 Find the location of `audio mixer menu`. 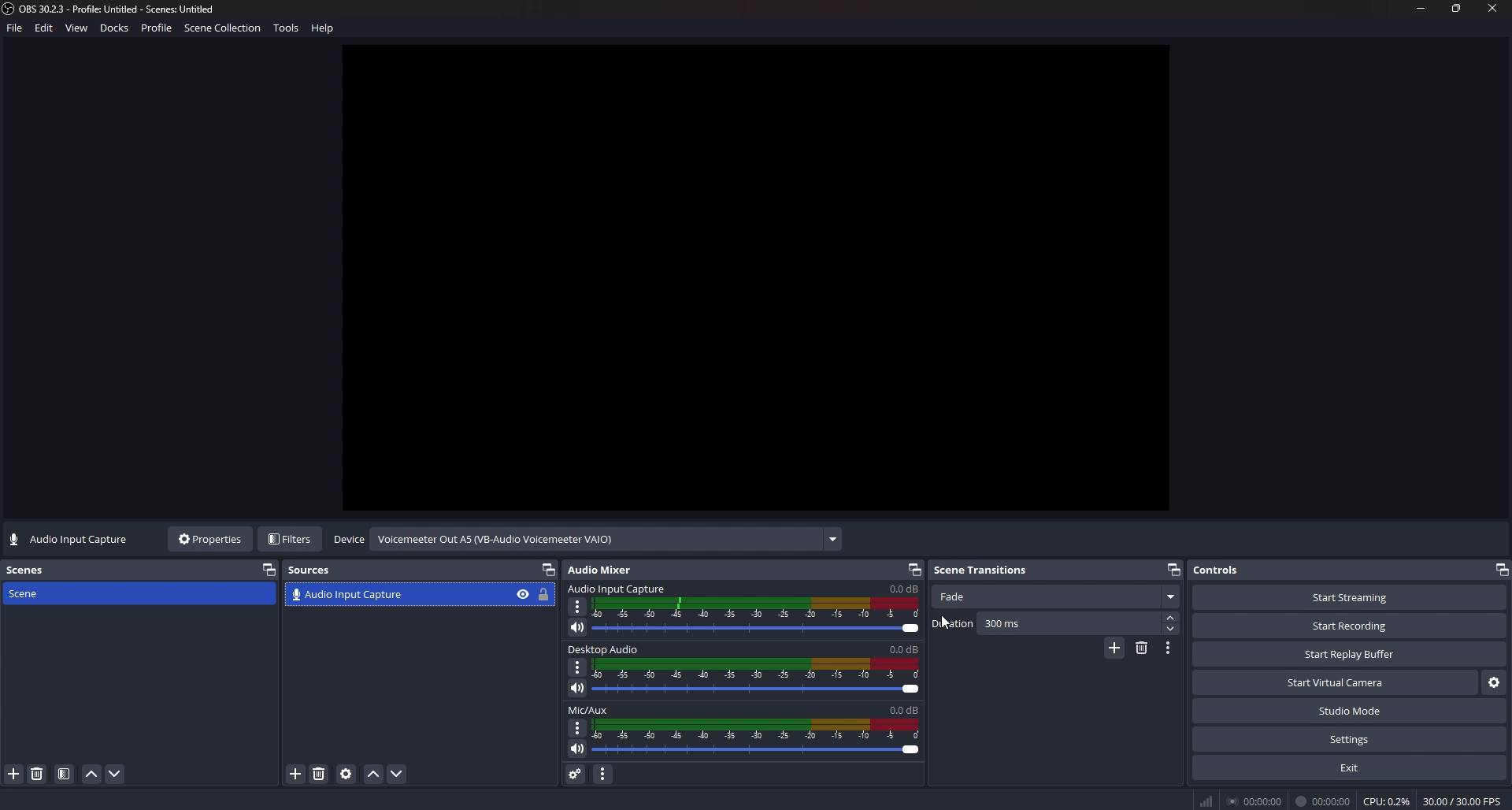

audio mixer menu is located at coordinates (604, 773).